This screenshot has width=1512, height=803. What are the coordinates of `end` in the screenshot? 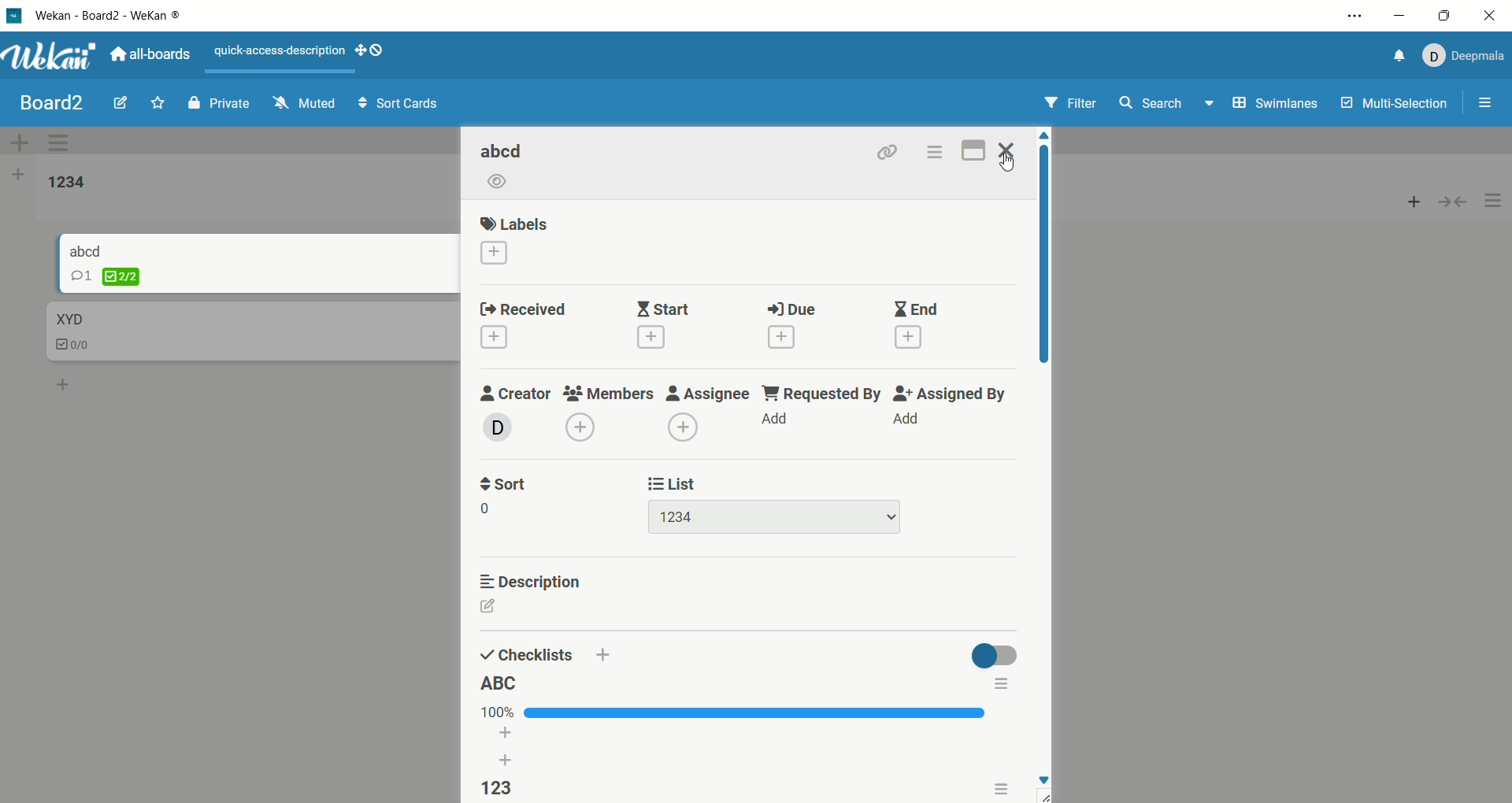 It's located at (913, 316).